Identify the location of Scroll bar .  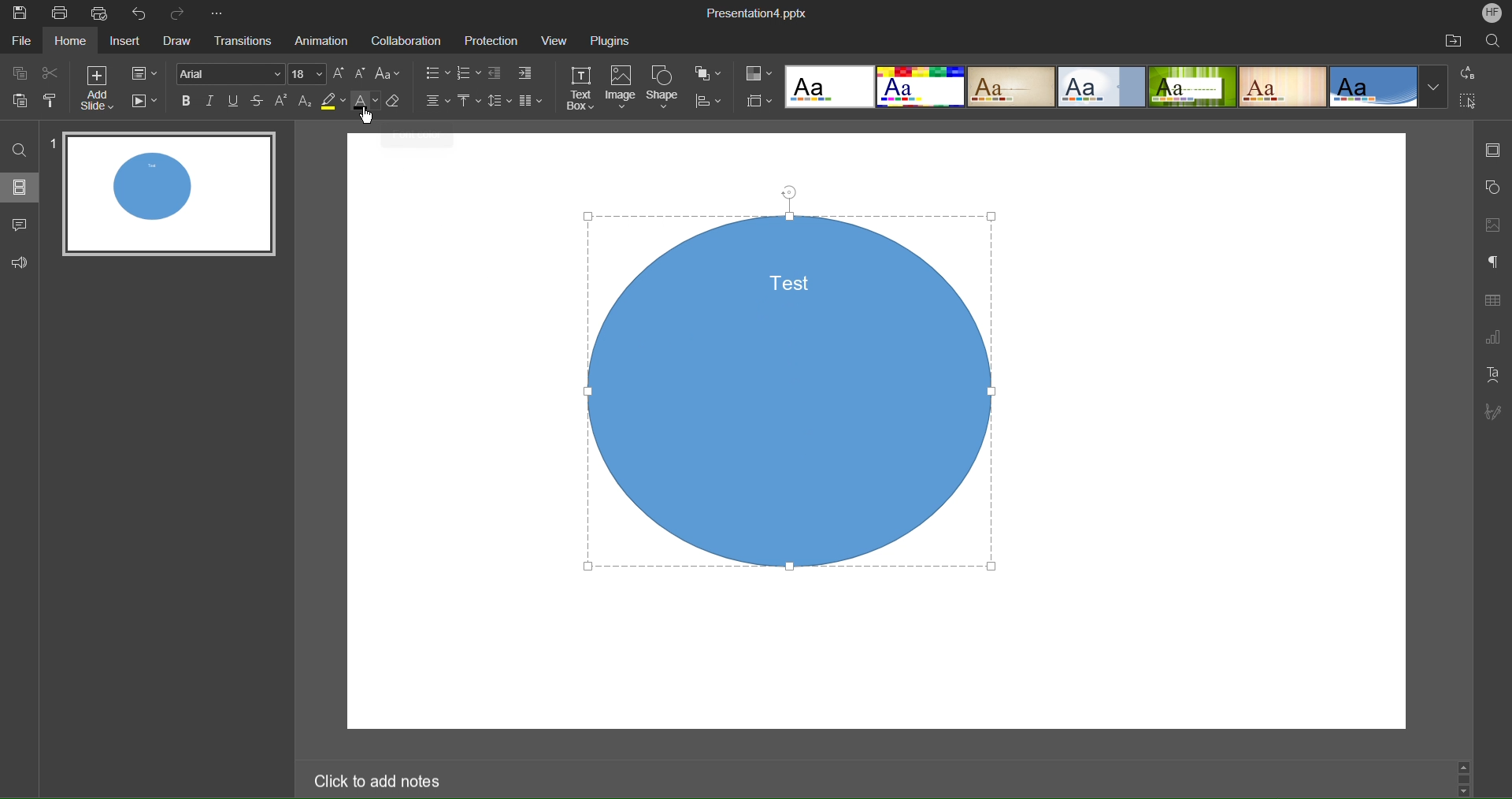
(1464, 779).